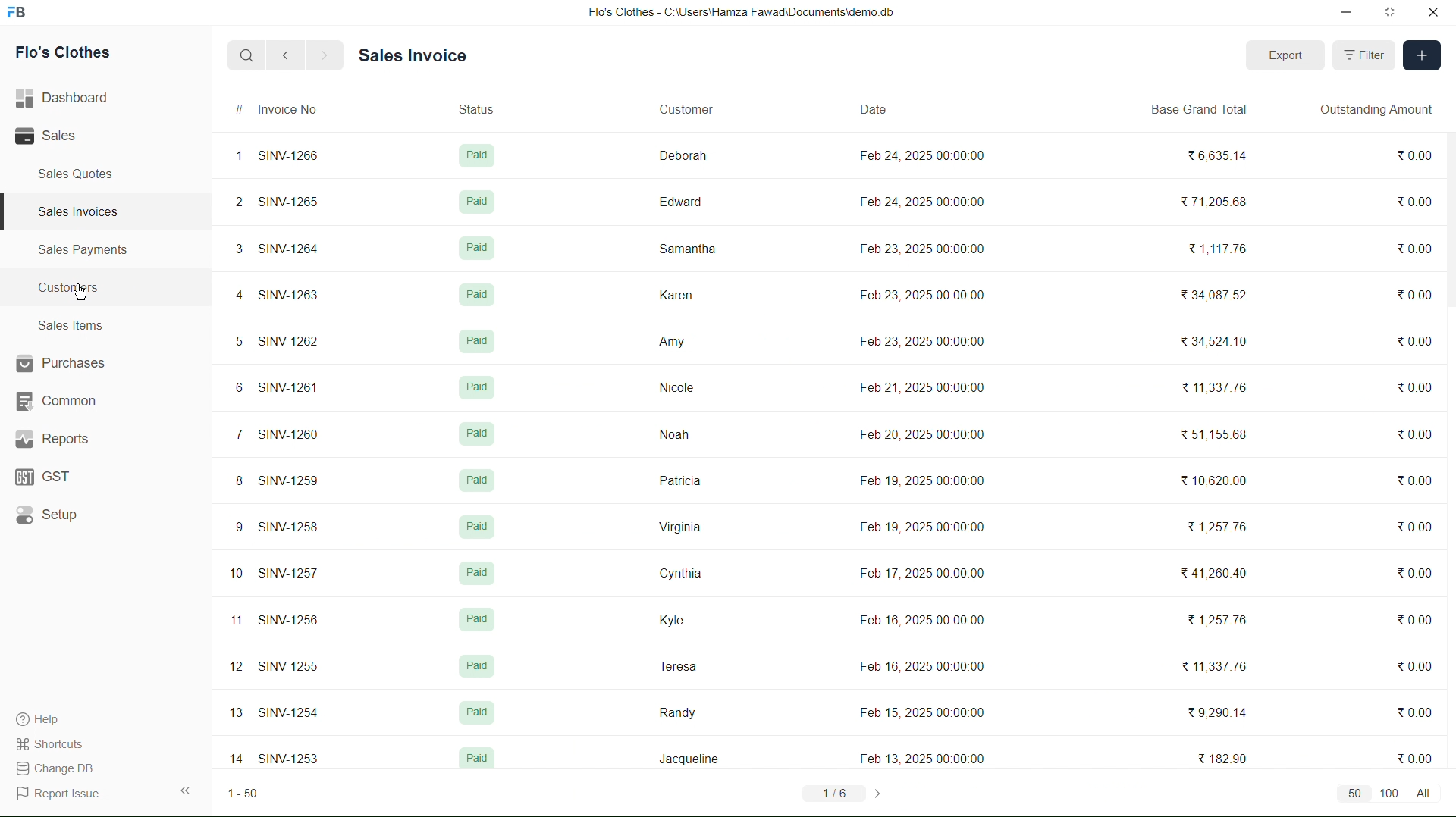 This screenshot has width=1456, height=817. What do you see at coordinates (1216, 666) in the screenshot?
I see `311,337.76` at bounding box center [1216, 666].